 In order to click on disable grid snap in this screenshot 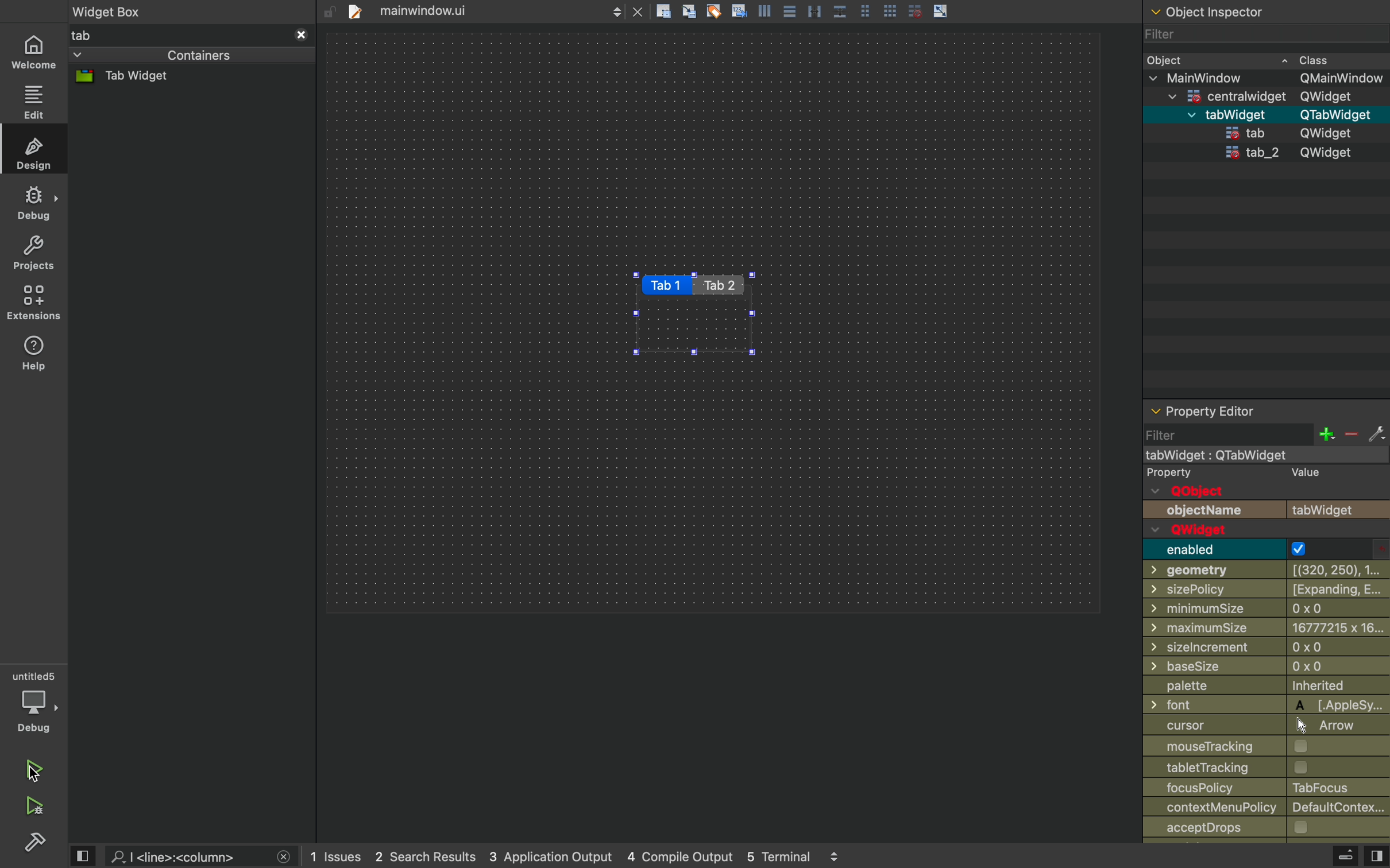, I will do `click(915, 10)`.